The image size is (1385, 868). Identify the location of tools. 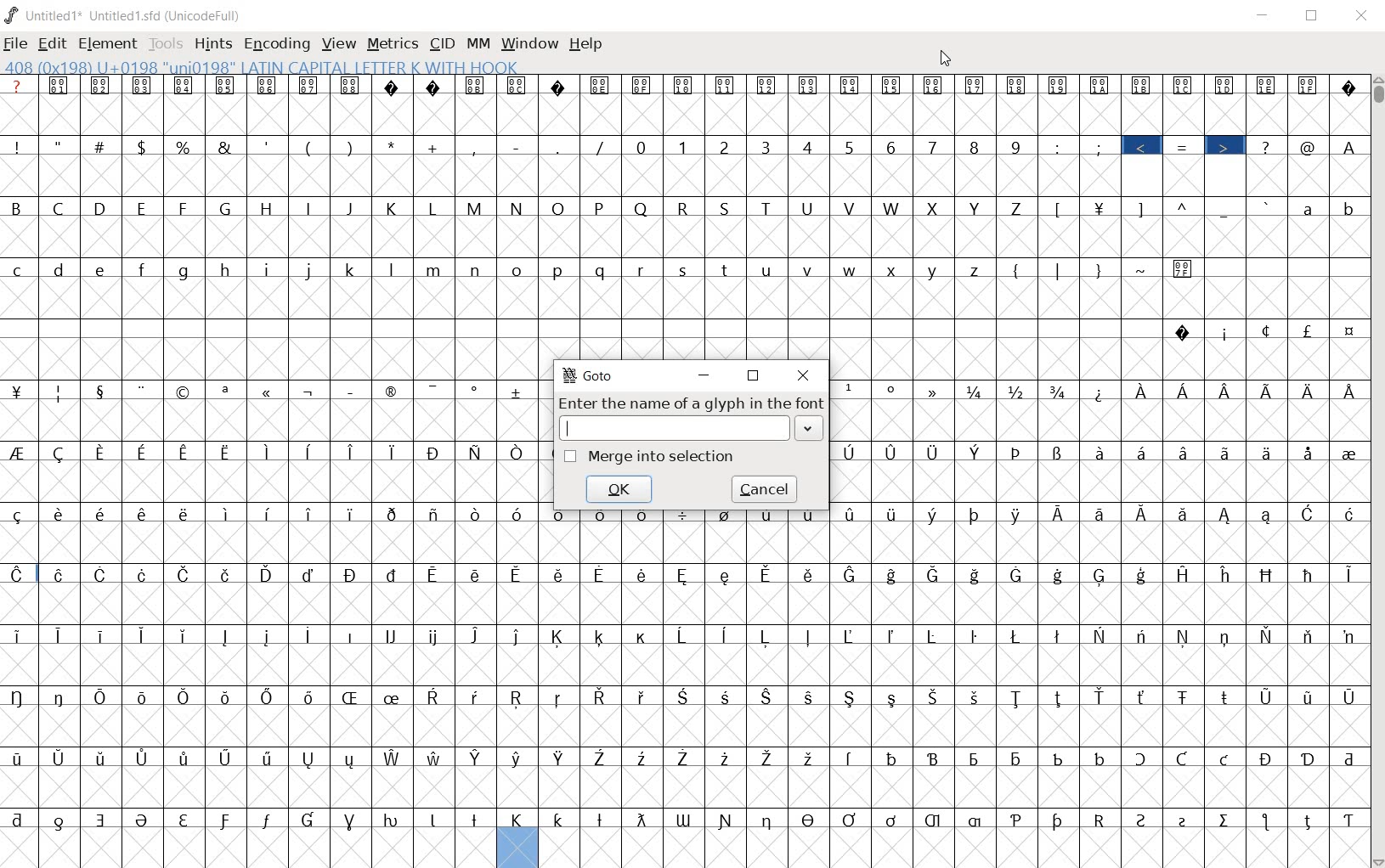
(167, 44).